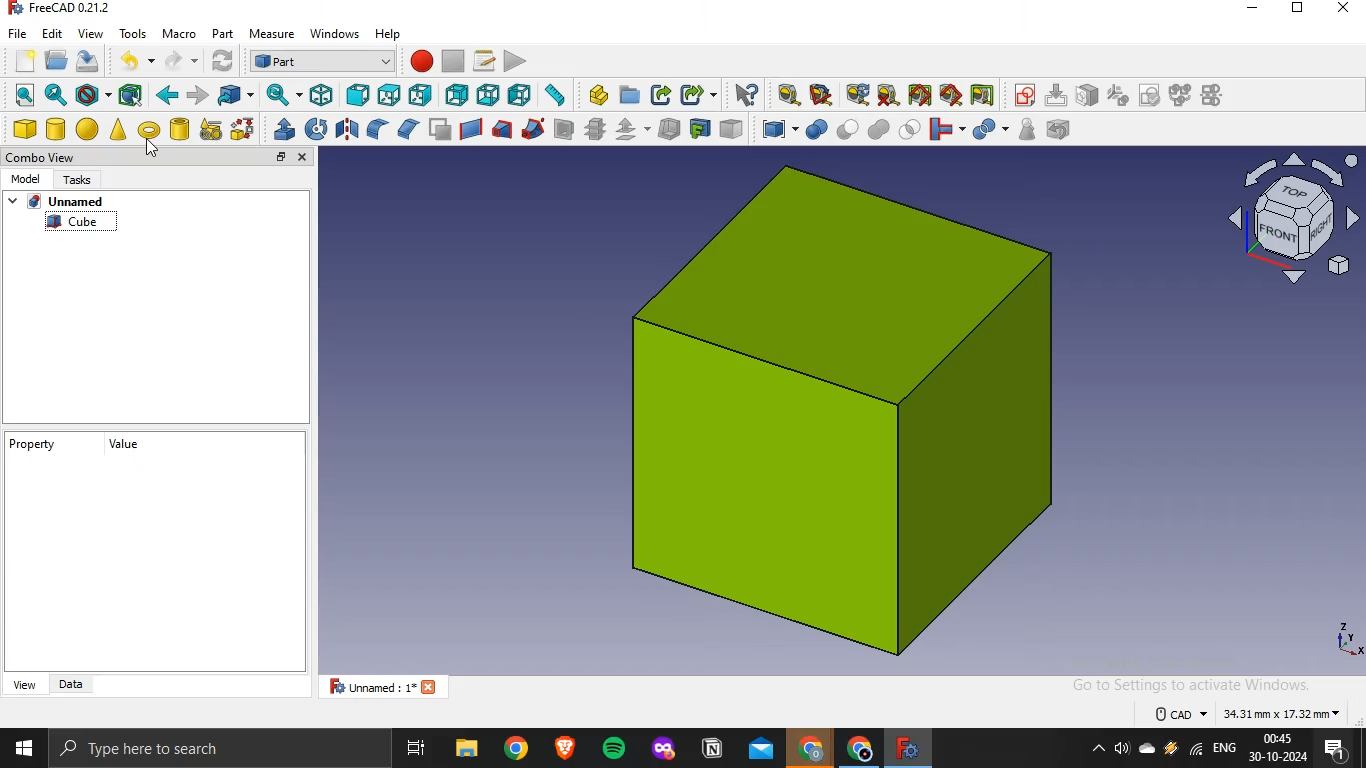 Image resolution: width=1366 pixels, height=768 pixels. I want to click on toggle all, so click(919, 95).